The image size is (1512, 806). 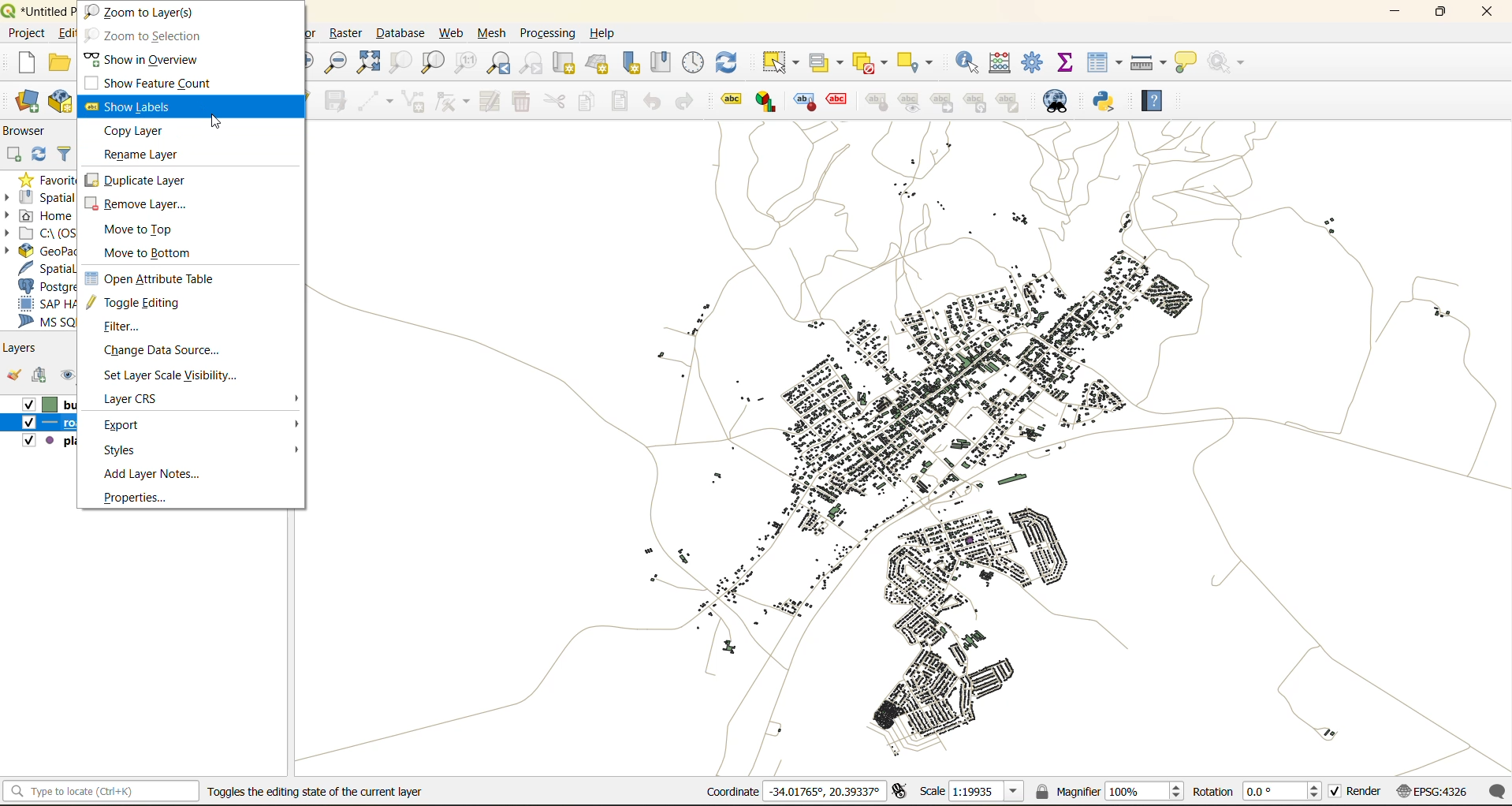 I want to click on refresh, so click(x=40, y=155).